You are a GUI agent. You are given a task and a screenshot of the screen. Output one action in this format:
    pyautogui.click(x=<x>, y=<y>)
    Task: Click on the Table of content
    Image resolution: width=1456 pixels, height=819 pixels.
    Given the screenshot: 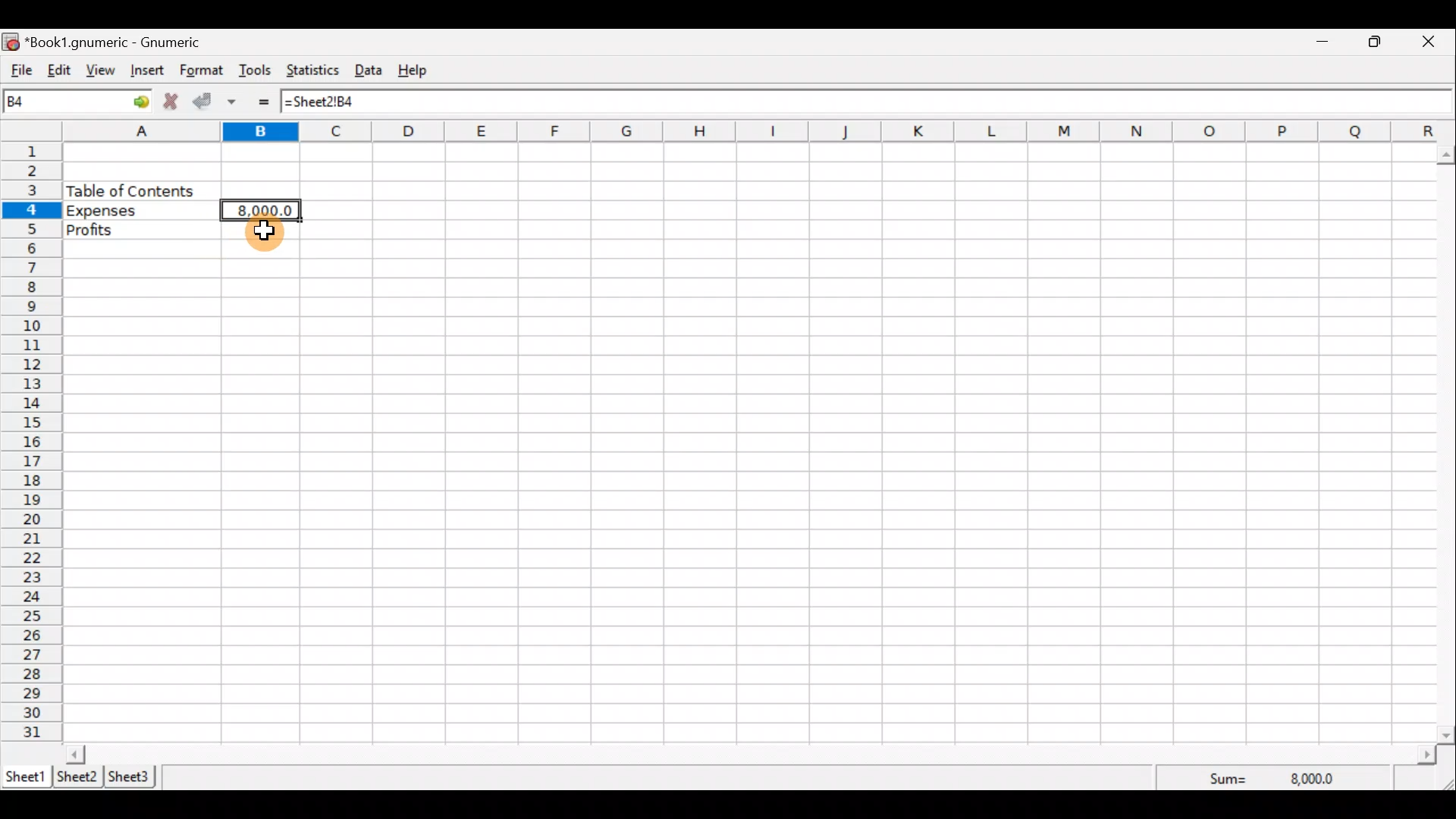 What is the action you would take?
    pyautogui.click(x=130, y=190)
    